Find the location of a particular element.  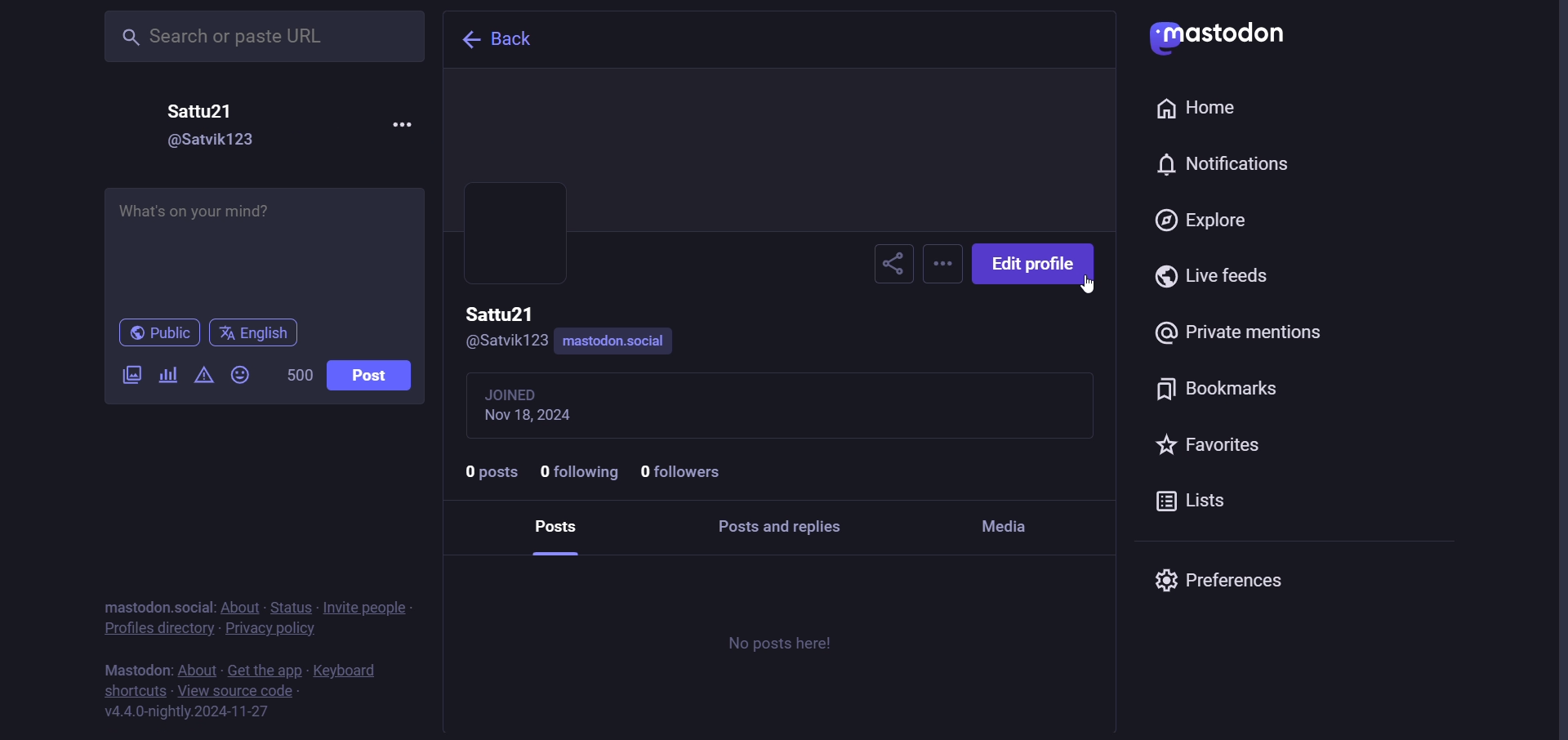

content warning is located at coordinates (205, 378).